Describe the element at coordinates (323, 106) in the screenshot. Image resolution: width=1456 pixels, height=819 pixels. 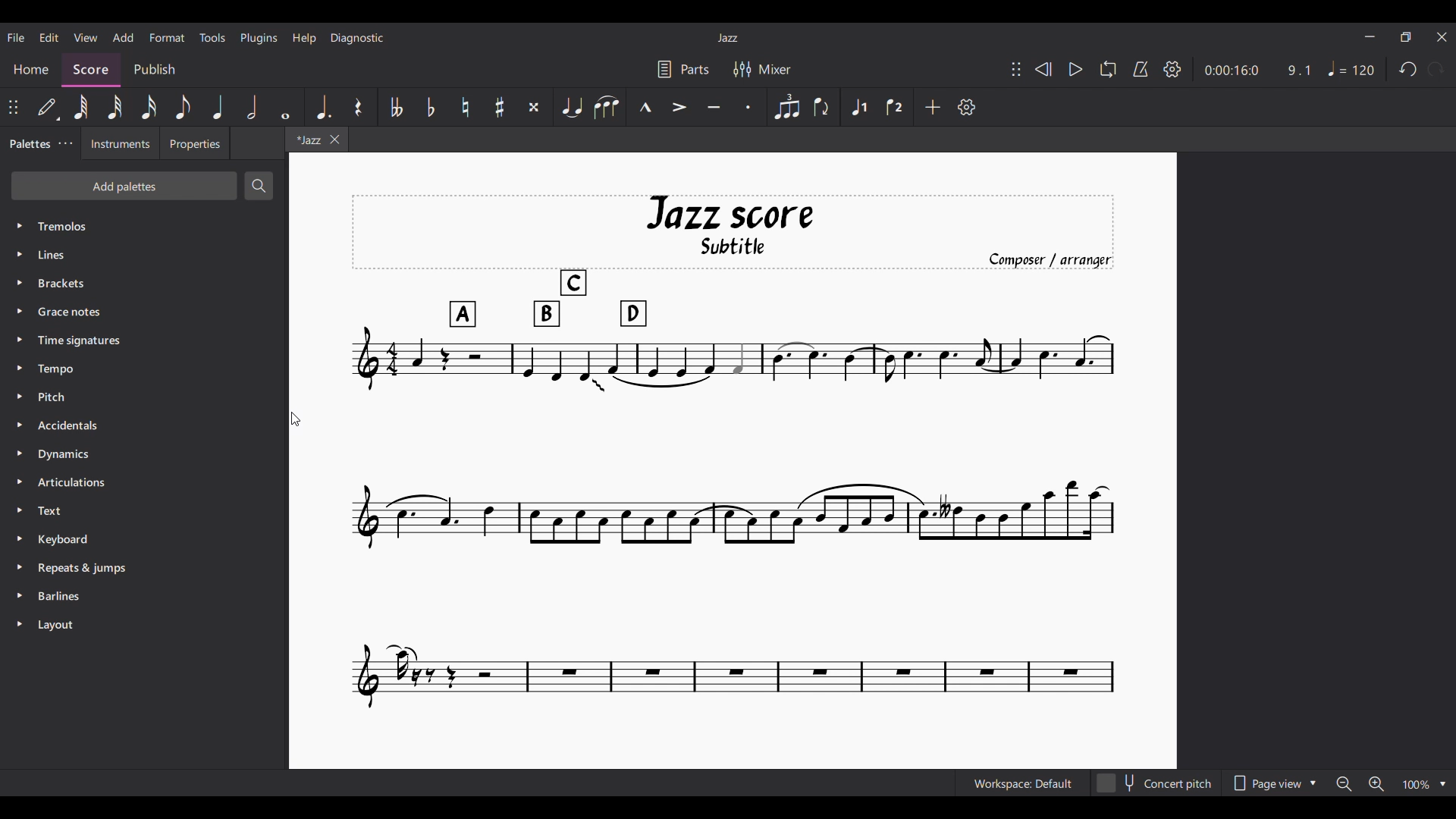
I see `Augmentation dot` at that location.